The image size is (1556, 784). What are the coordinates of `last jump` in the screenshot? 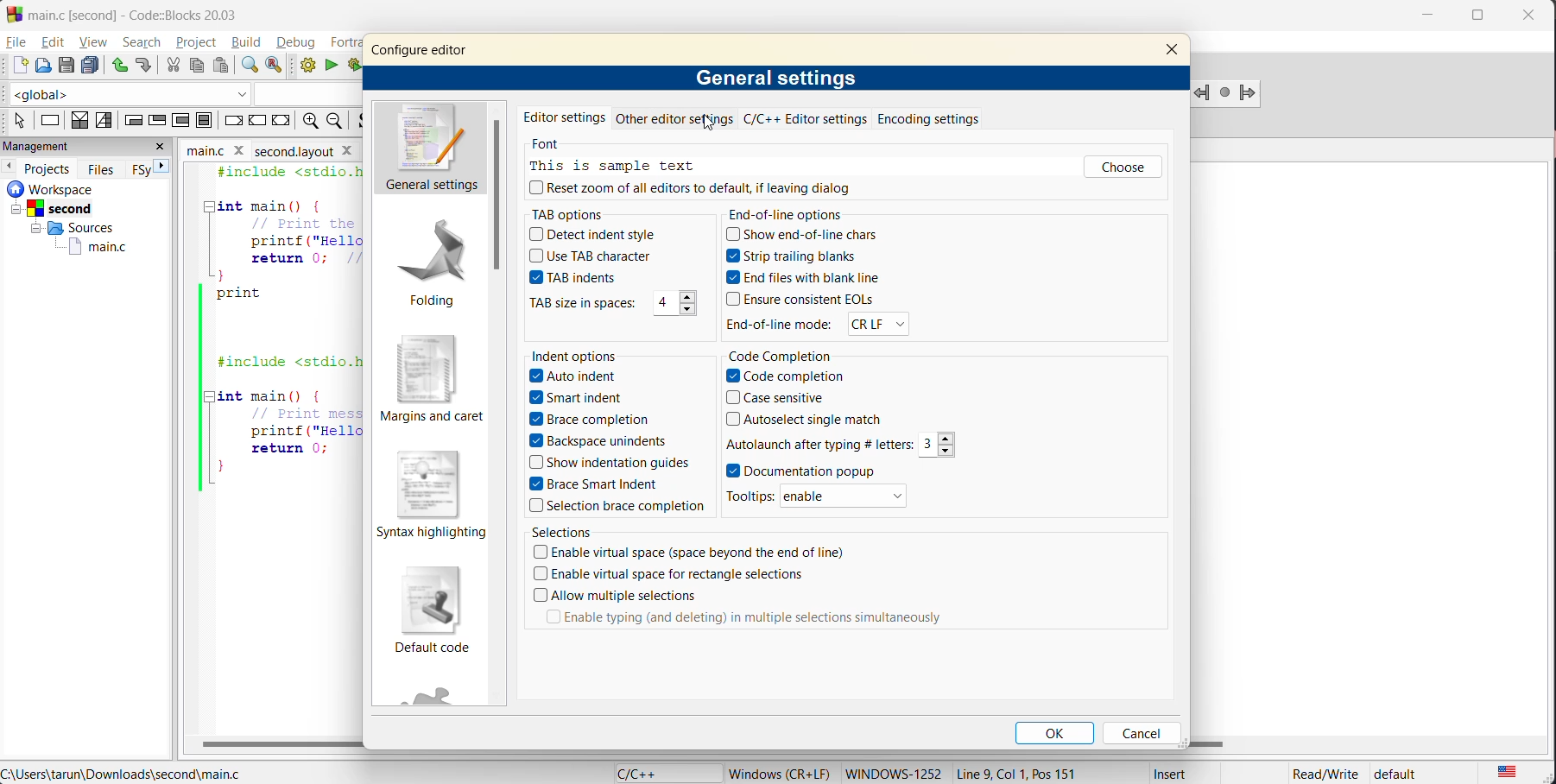 It's located at (1224, 93).